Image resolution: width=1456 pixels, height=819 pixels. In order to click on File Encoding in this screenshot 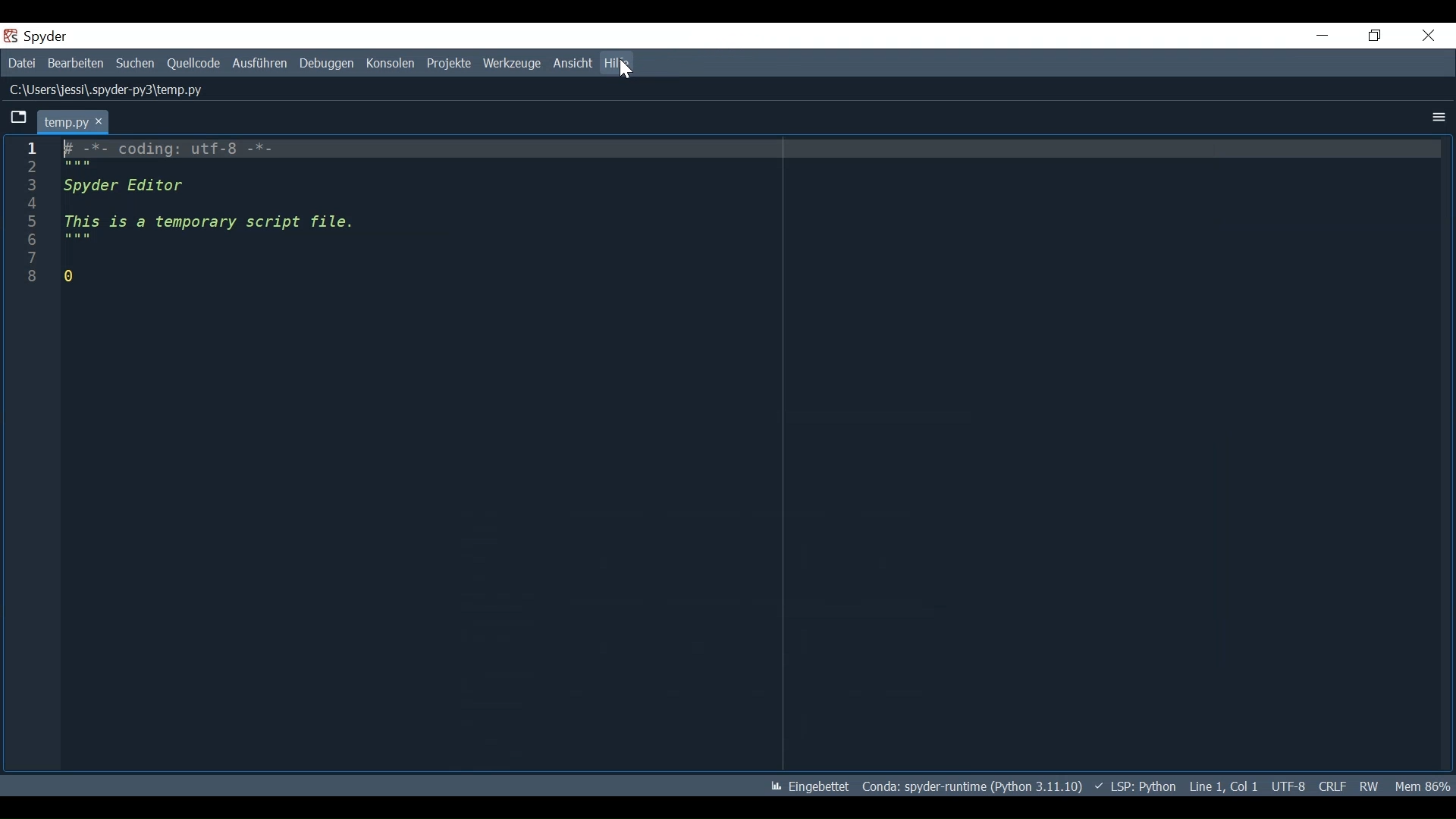, I will do `click(1288, 786)`.